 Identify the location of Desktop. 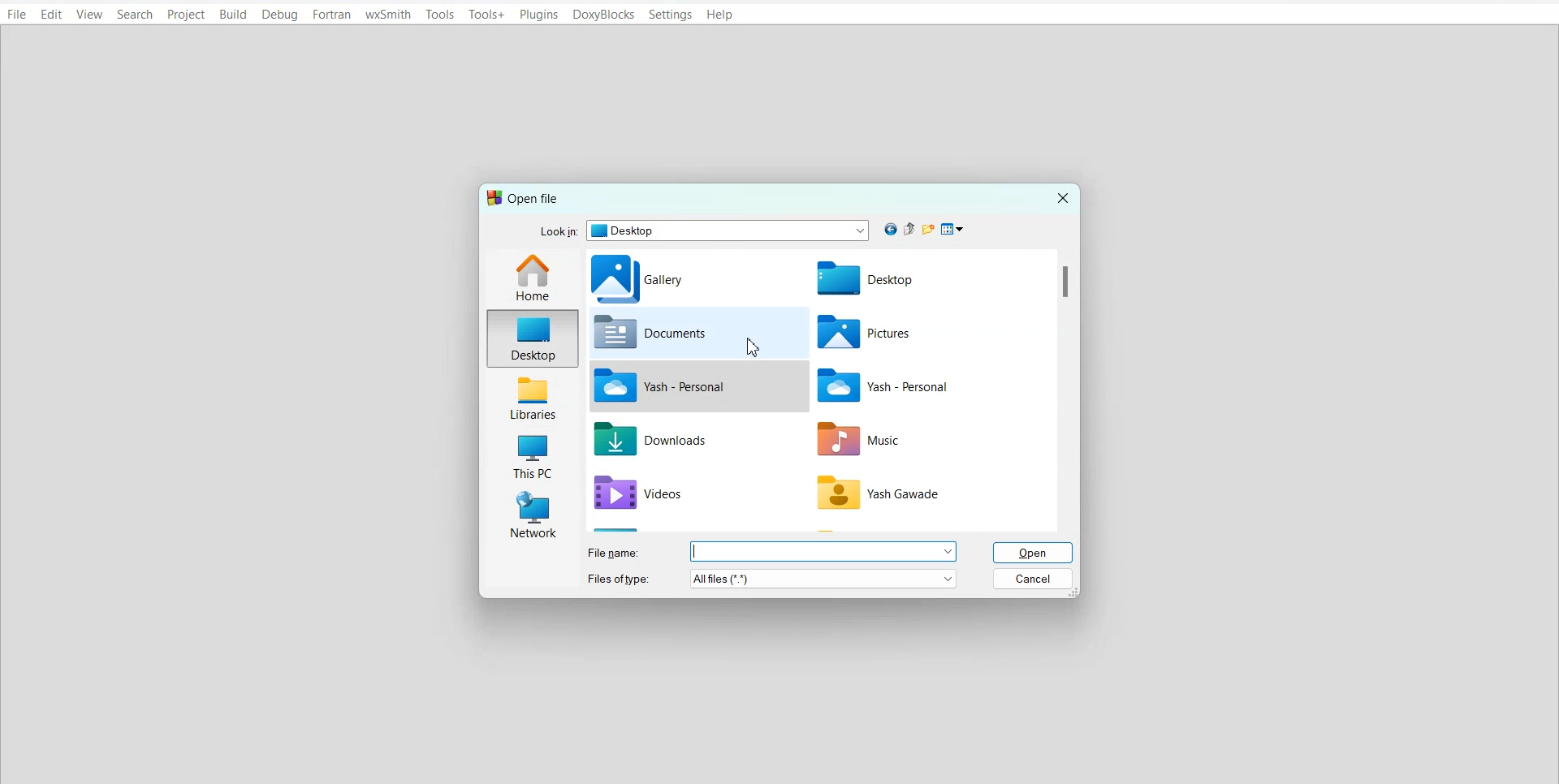
(926, 278).